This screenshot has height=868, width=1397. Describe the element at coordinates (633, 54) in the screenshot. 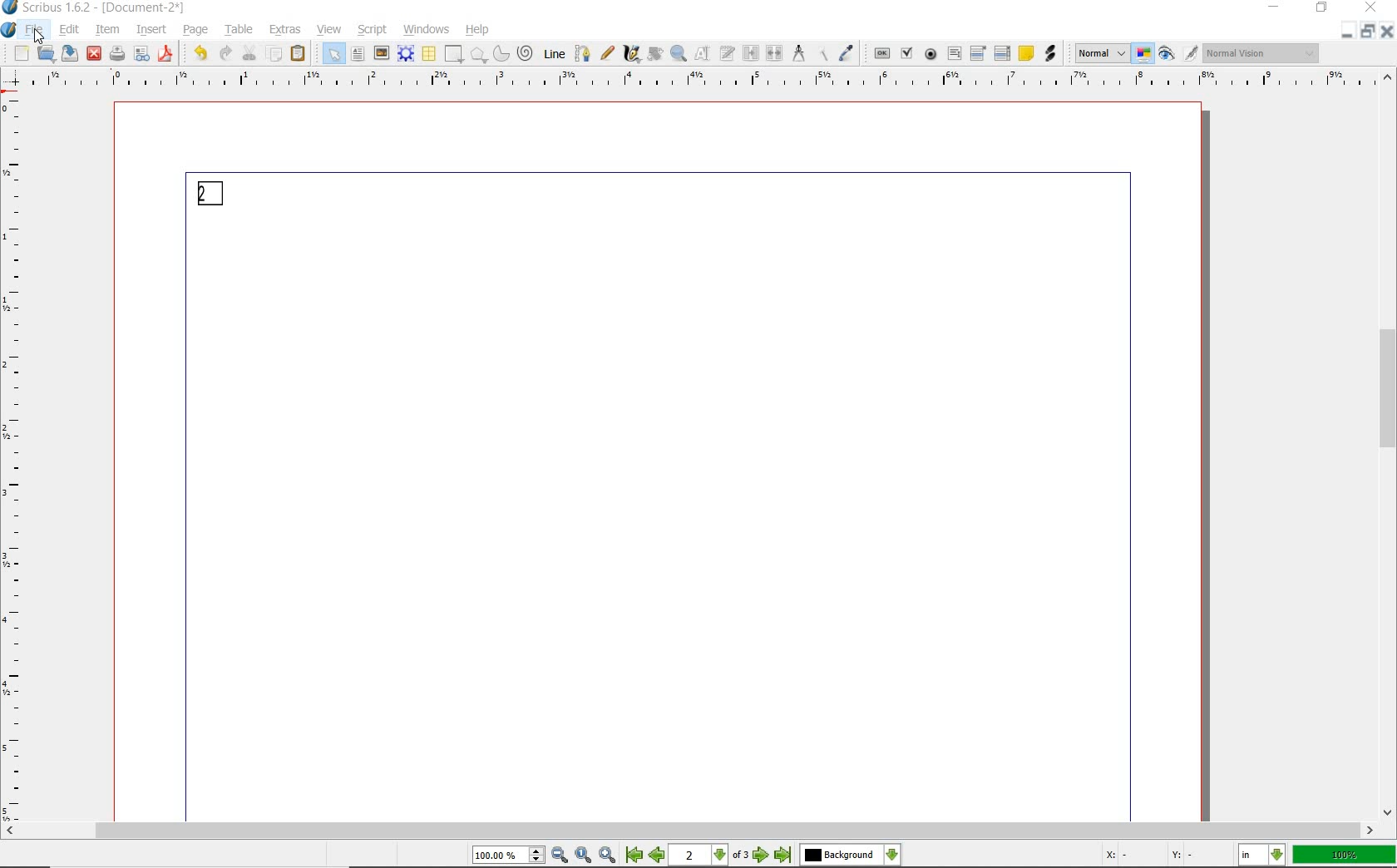

I see `calligraphic line` at that location.